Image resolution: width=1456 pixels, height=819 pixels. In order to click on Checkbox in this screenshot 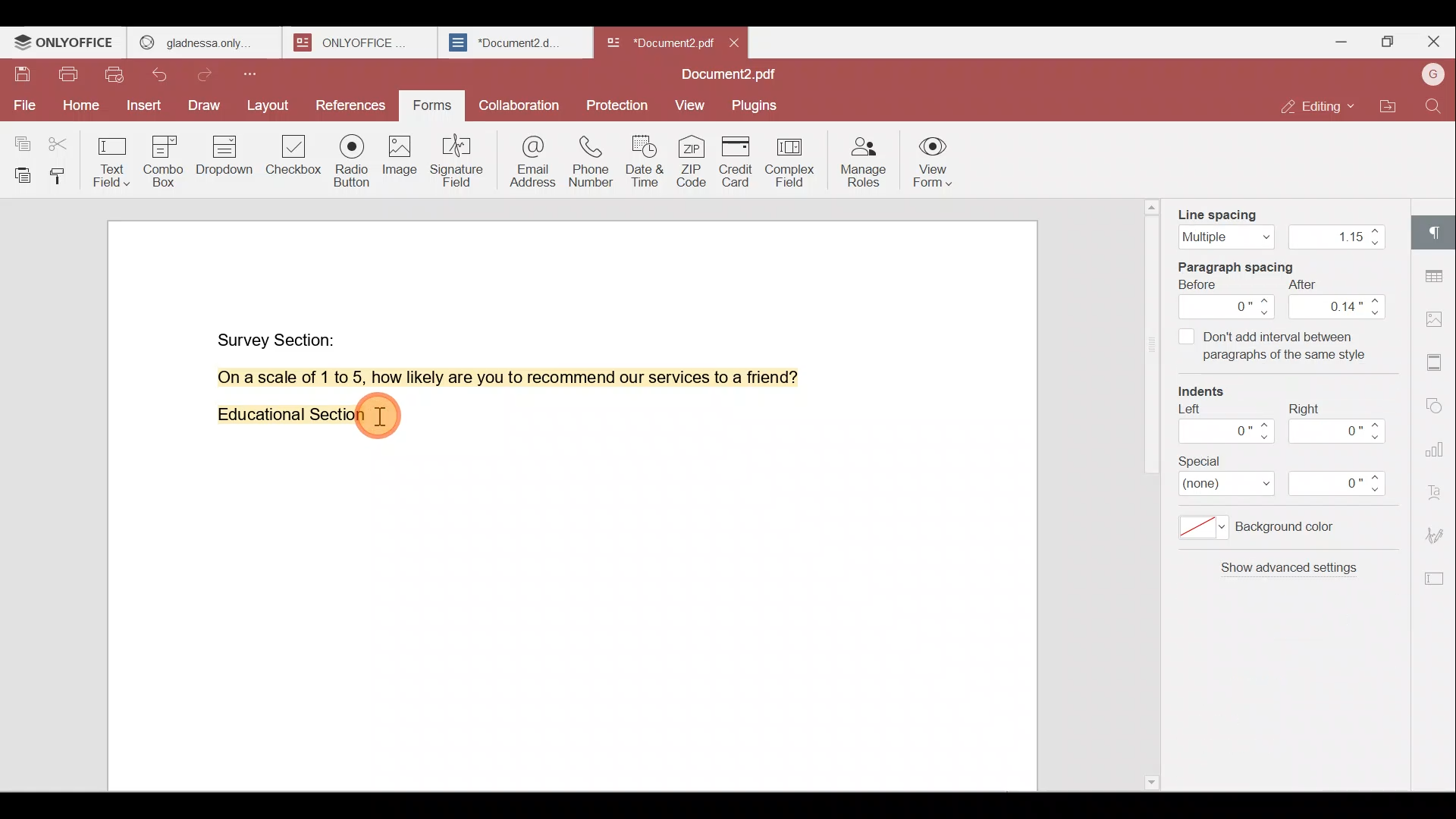, I will do `click(295, 160)`.